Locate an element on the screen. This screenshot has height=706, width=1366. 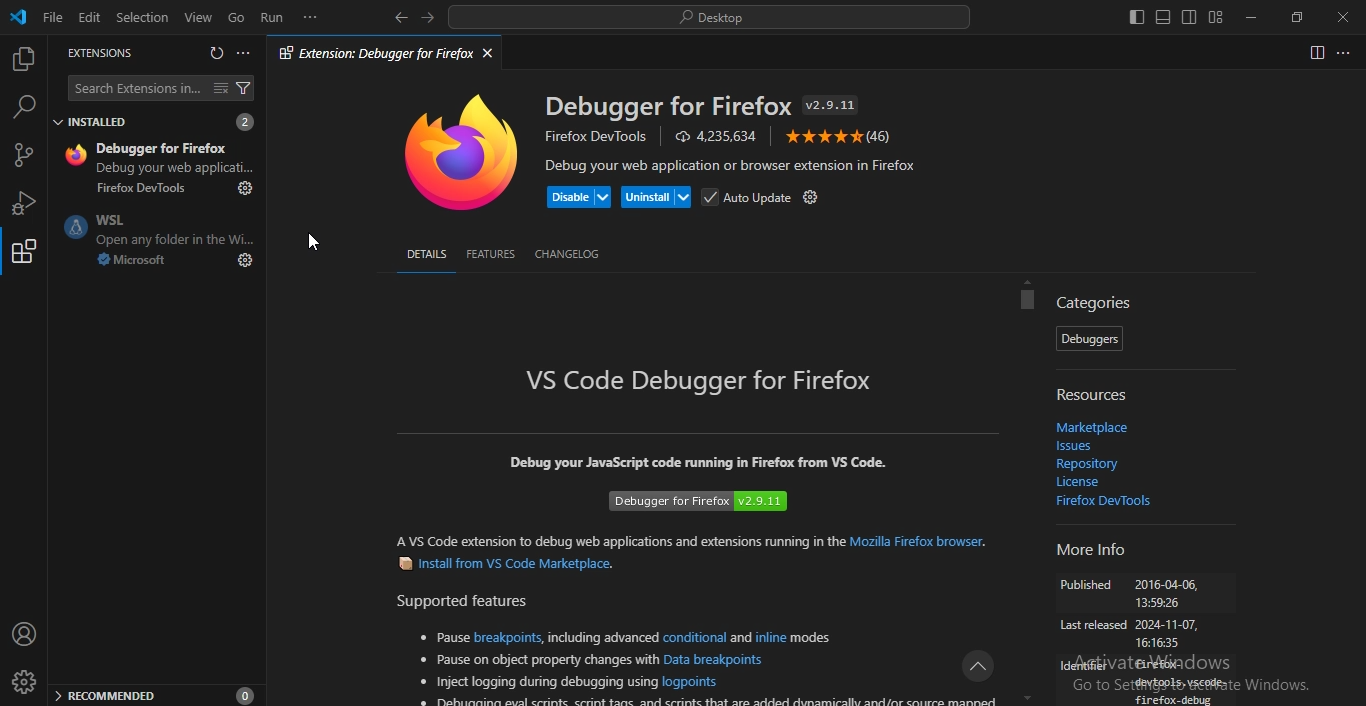
pause is located at coordinates (445, 638).